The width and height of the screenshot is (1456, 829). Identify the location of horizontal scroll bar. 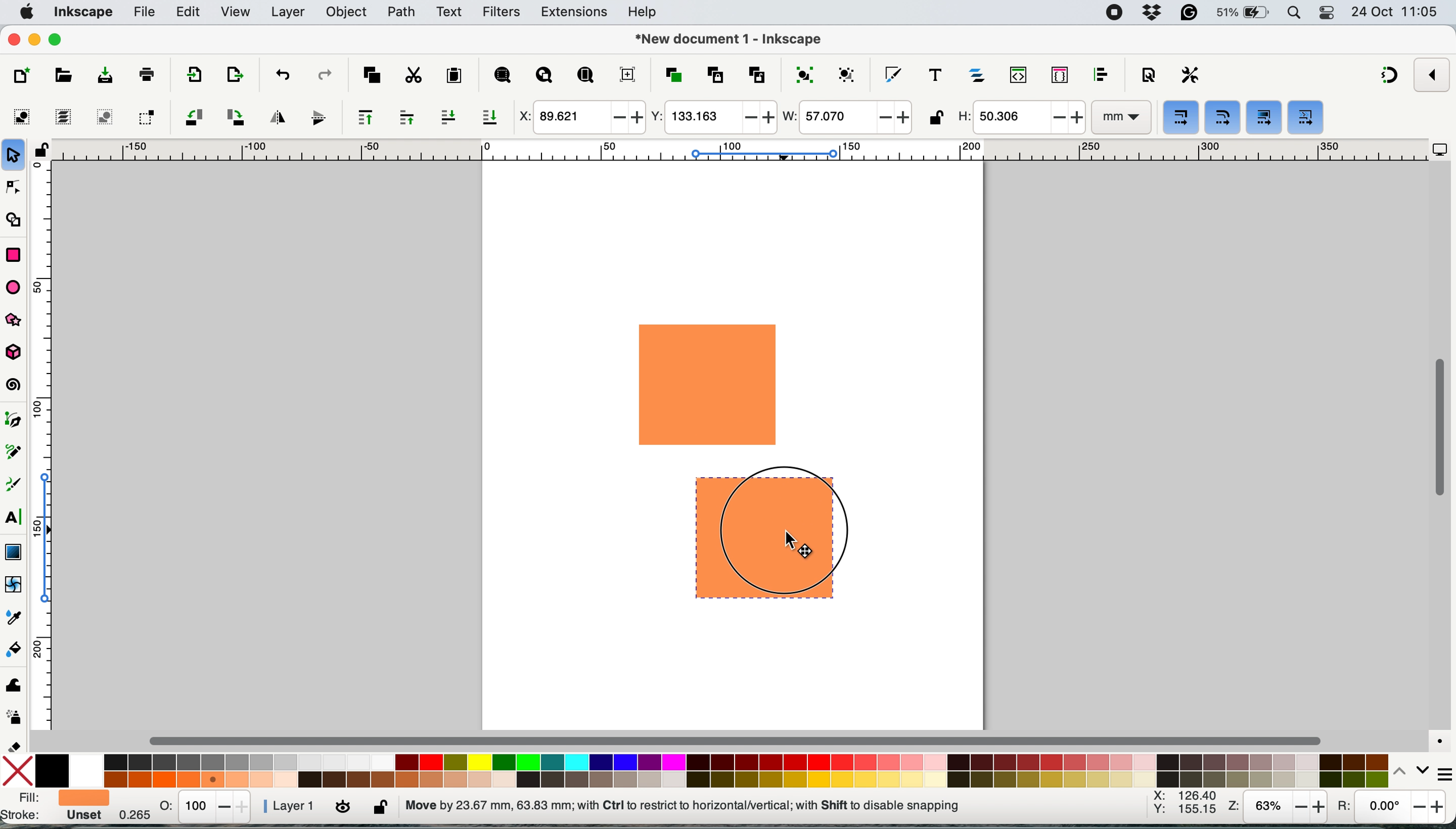
(739, 740).